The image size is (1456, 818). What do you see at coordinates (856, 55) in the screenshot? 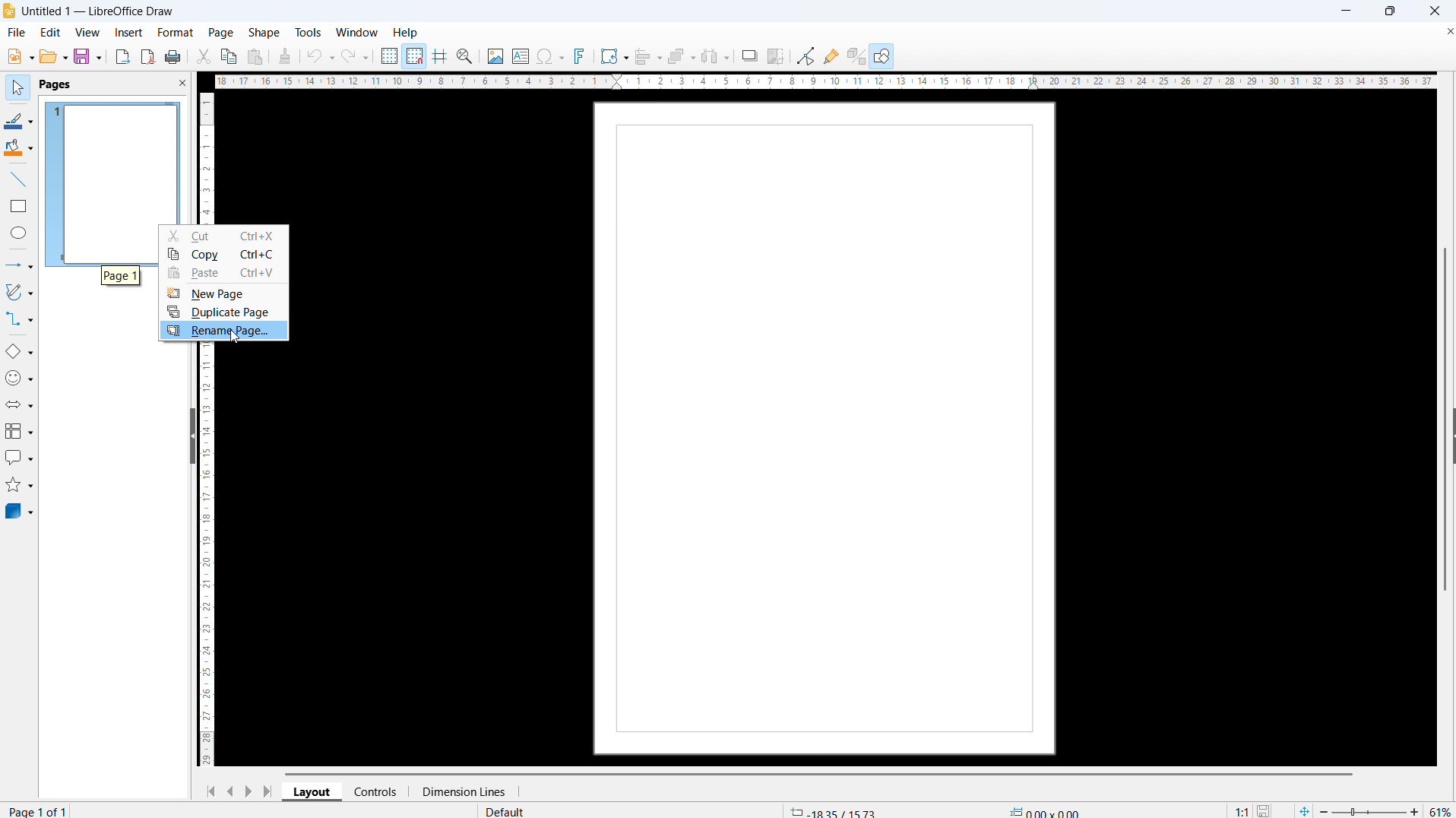
I see `toggle extrusion` at bounding box center [856, 55].